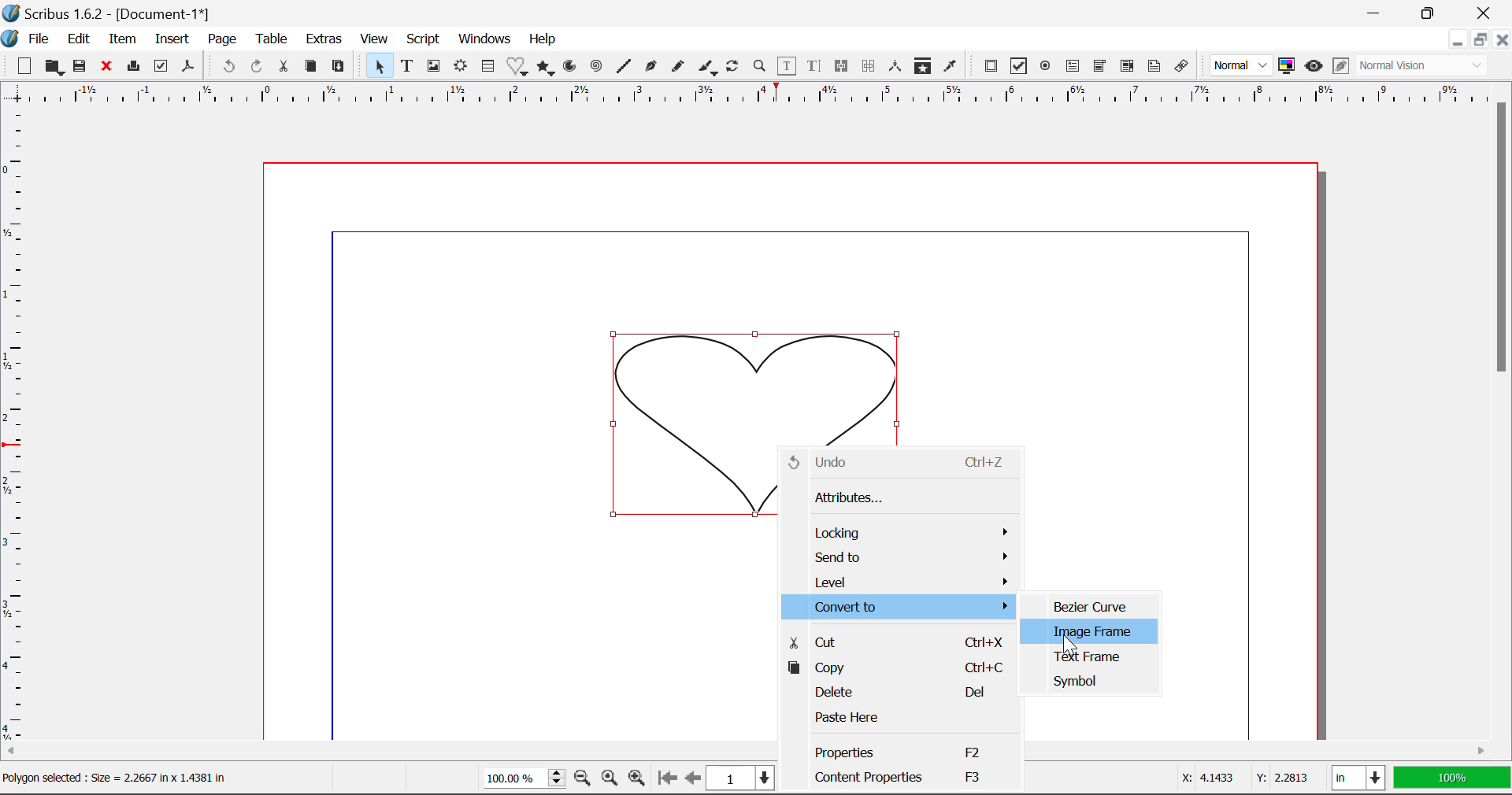 Image resolution: width=1512 pixels, height=795 pixels. What do you see at coordinates (310, 67) in the screenshot?
I see `Copy` at bounding box center [310, 67].